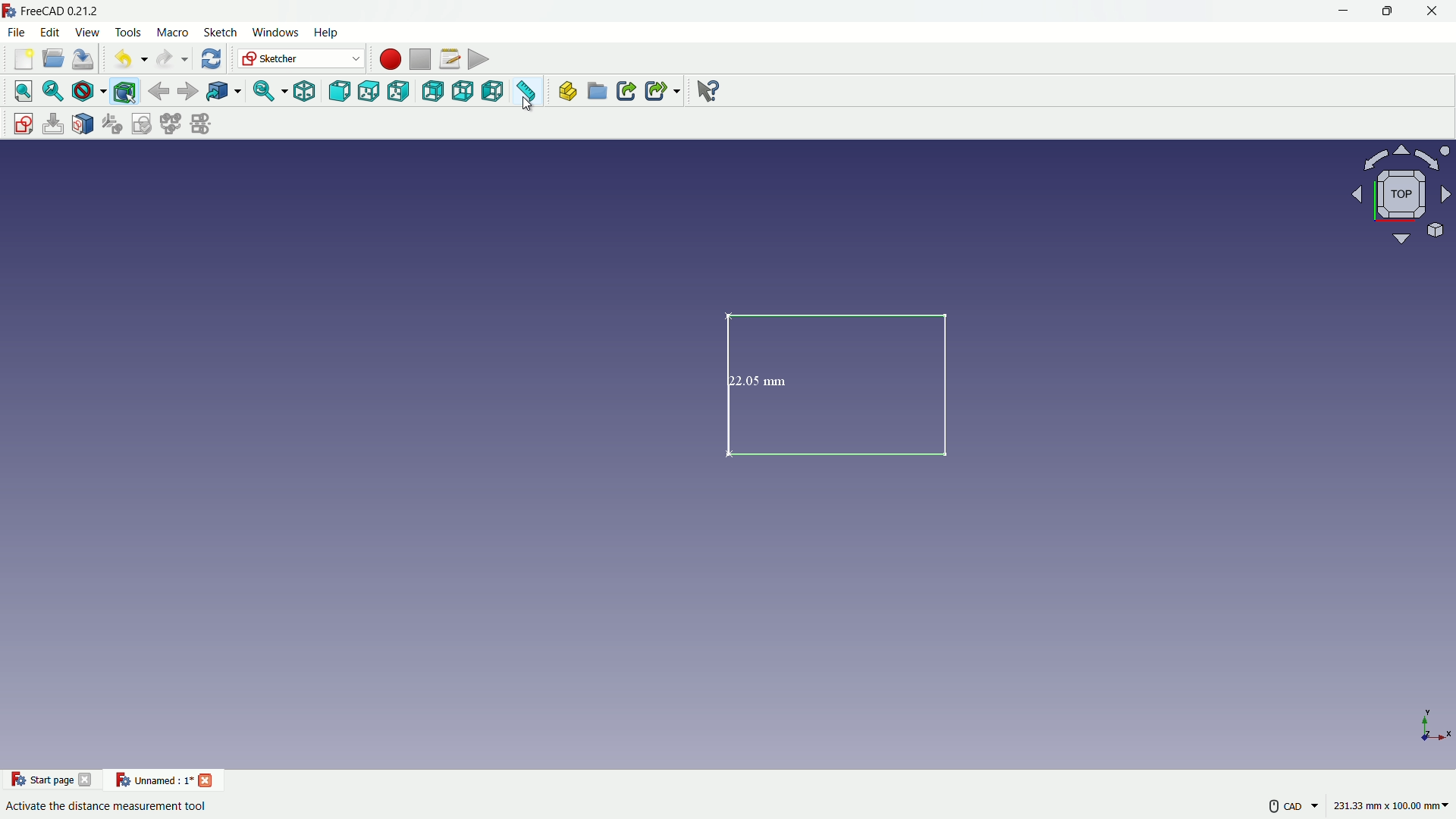 The height and width of the screenshot is (819, 1456). Describe the element at coordinates (1389, 11) in the screenshot. I see `maximize or restore` at that location.